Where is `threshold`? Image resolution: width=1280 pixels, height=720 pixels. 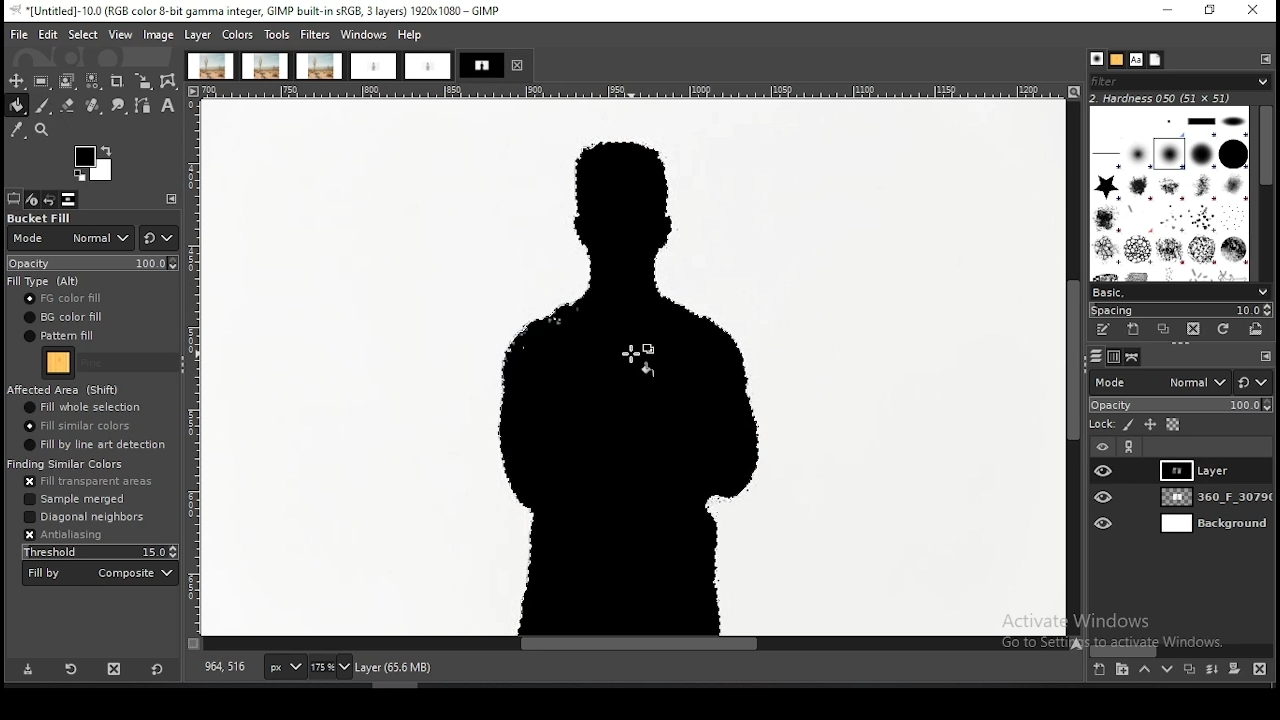
threshold is located at coordinates (98, 551).